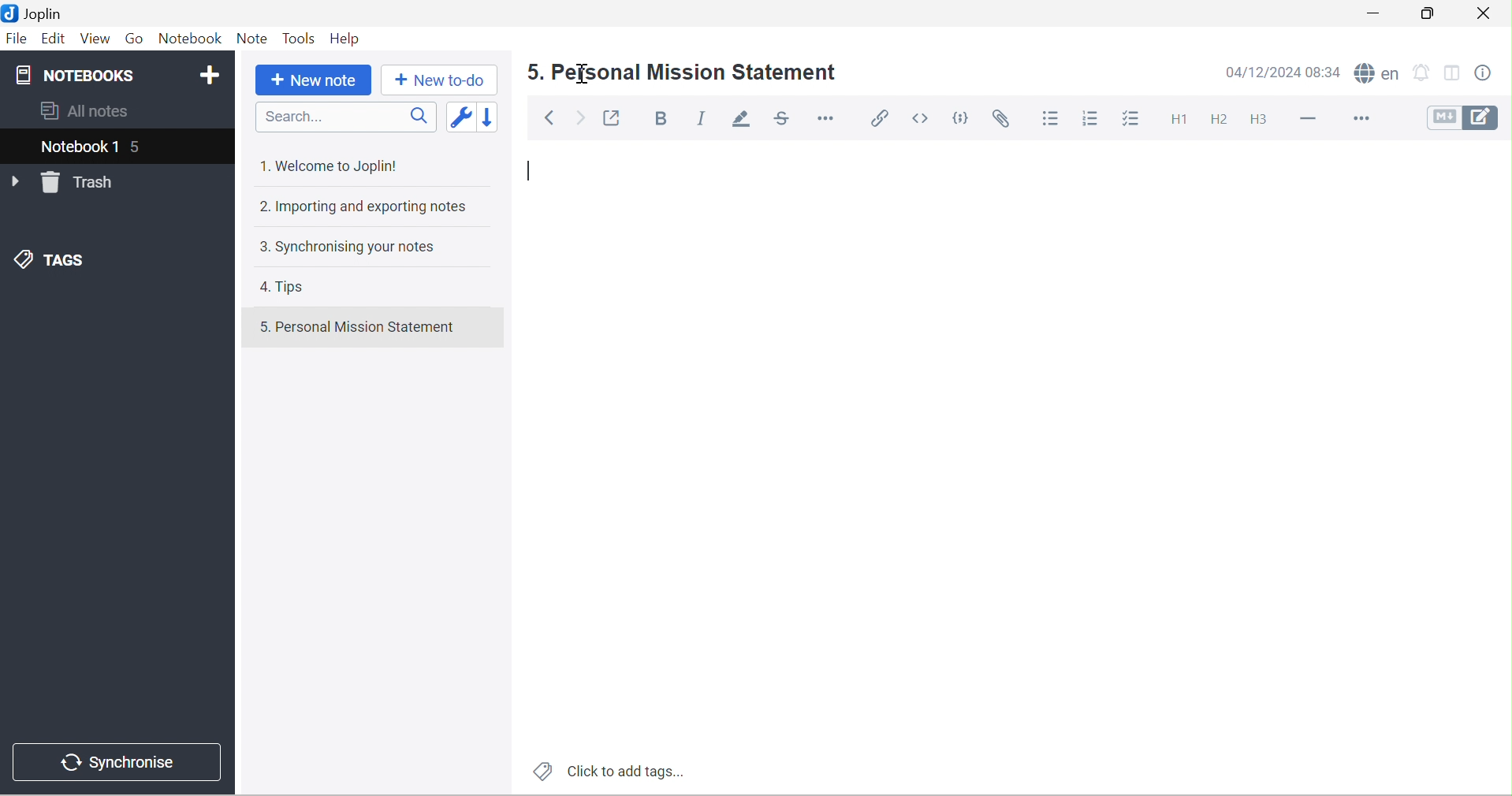 This screenshot has height=796, width=1512. I want to click on cursor, so click(580, 73).